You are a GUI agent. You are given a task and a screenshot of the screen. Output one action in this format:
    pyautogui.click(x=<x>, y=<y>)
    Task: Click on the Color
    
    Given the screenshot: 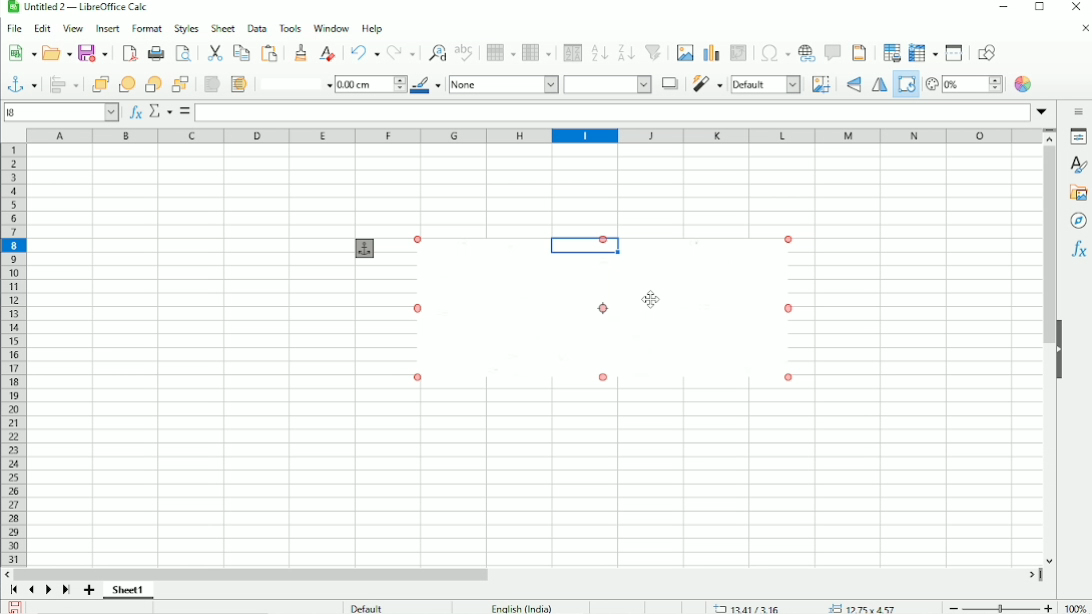 What is the action you would take?
    pyautogui.click(x=1024, y=84)
    